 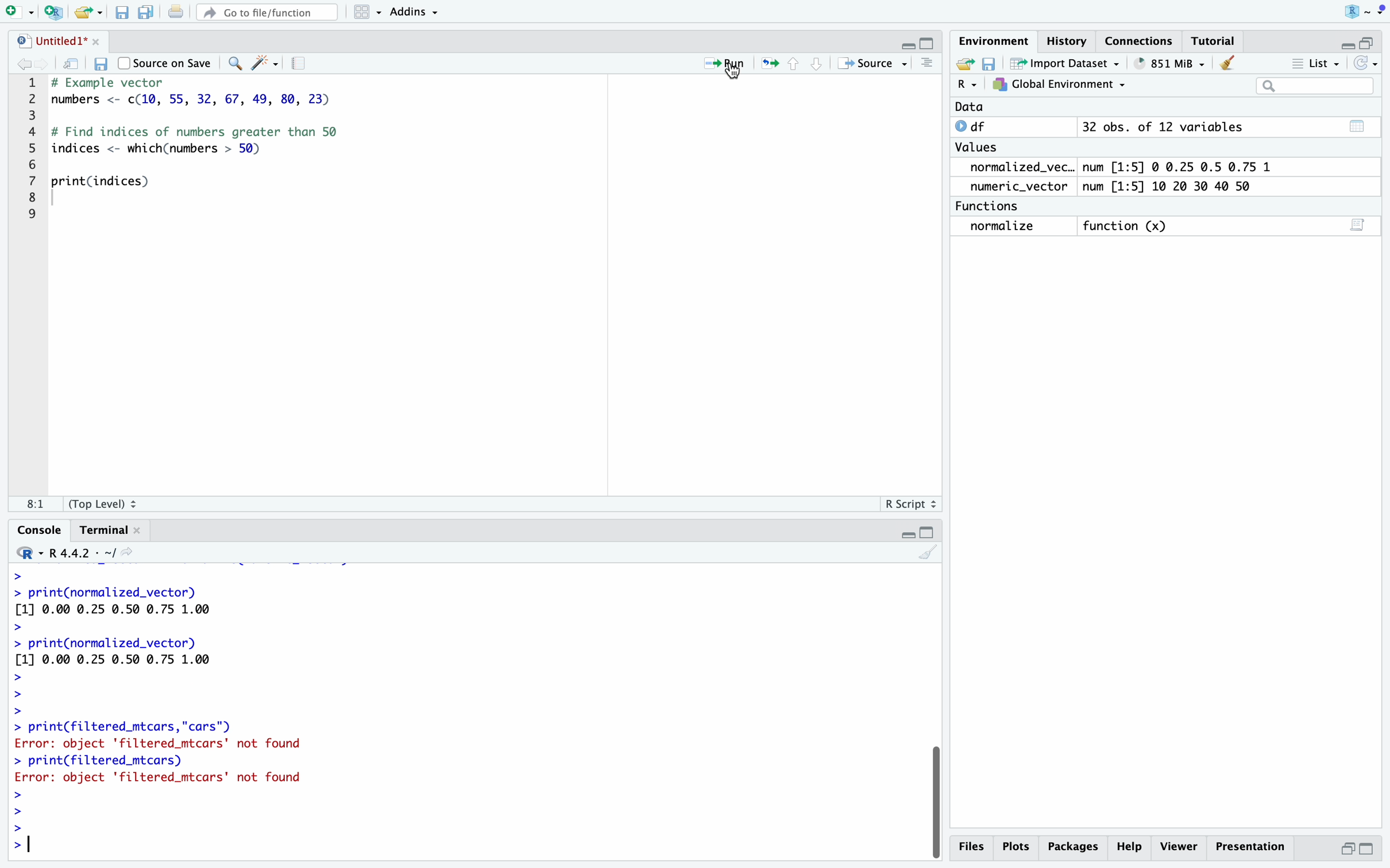 What do you see at coordinates (1357, 10) in the screenshot?
I see `R` at bounding box center [1357, 10].